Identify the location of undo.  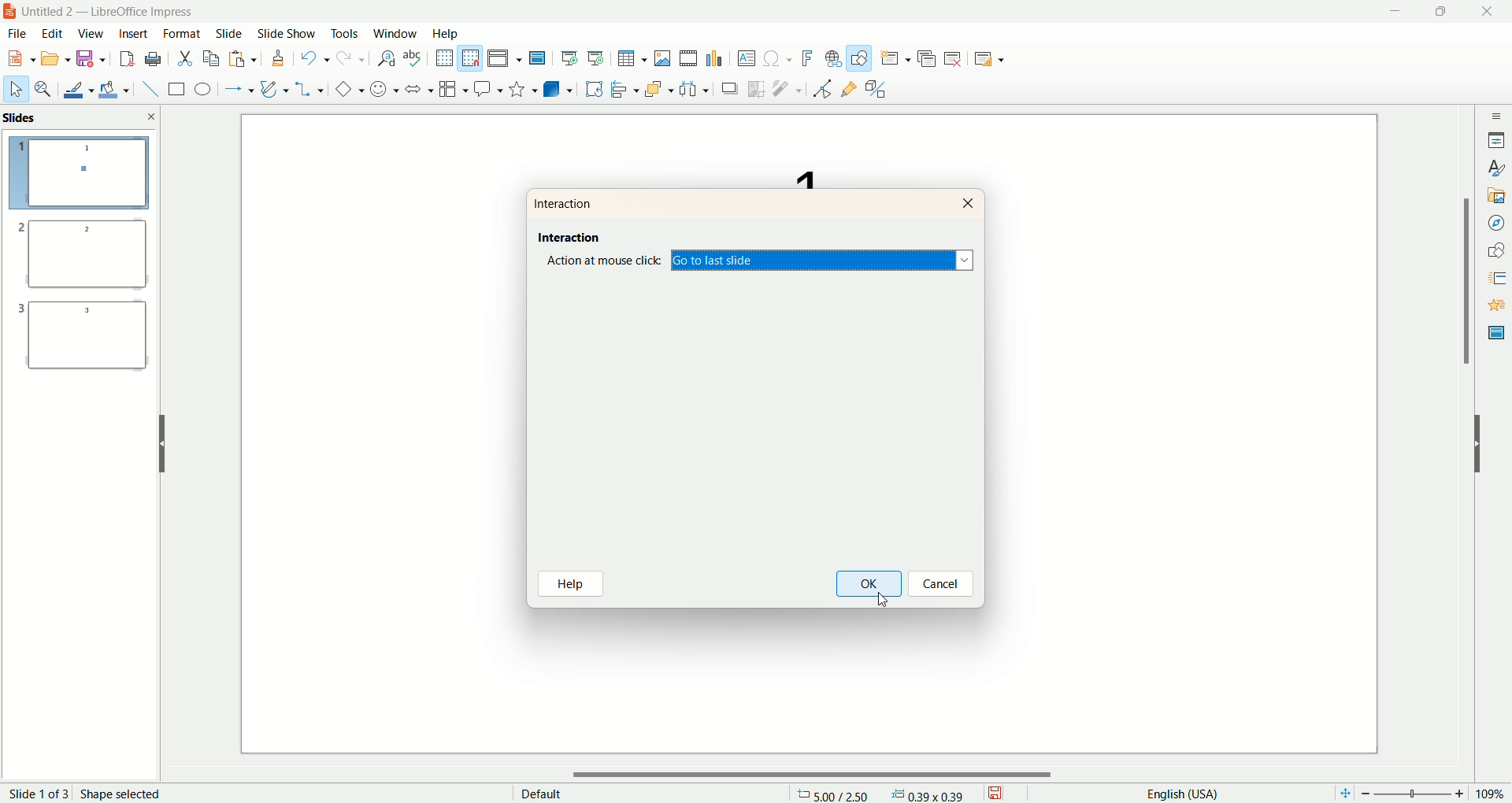
(313, 60).